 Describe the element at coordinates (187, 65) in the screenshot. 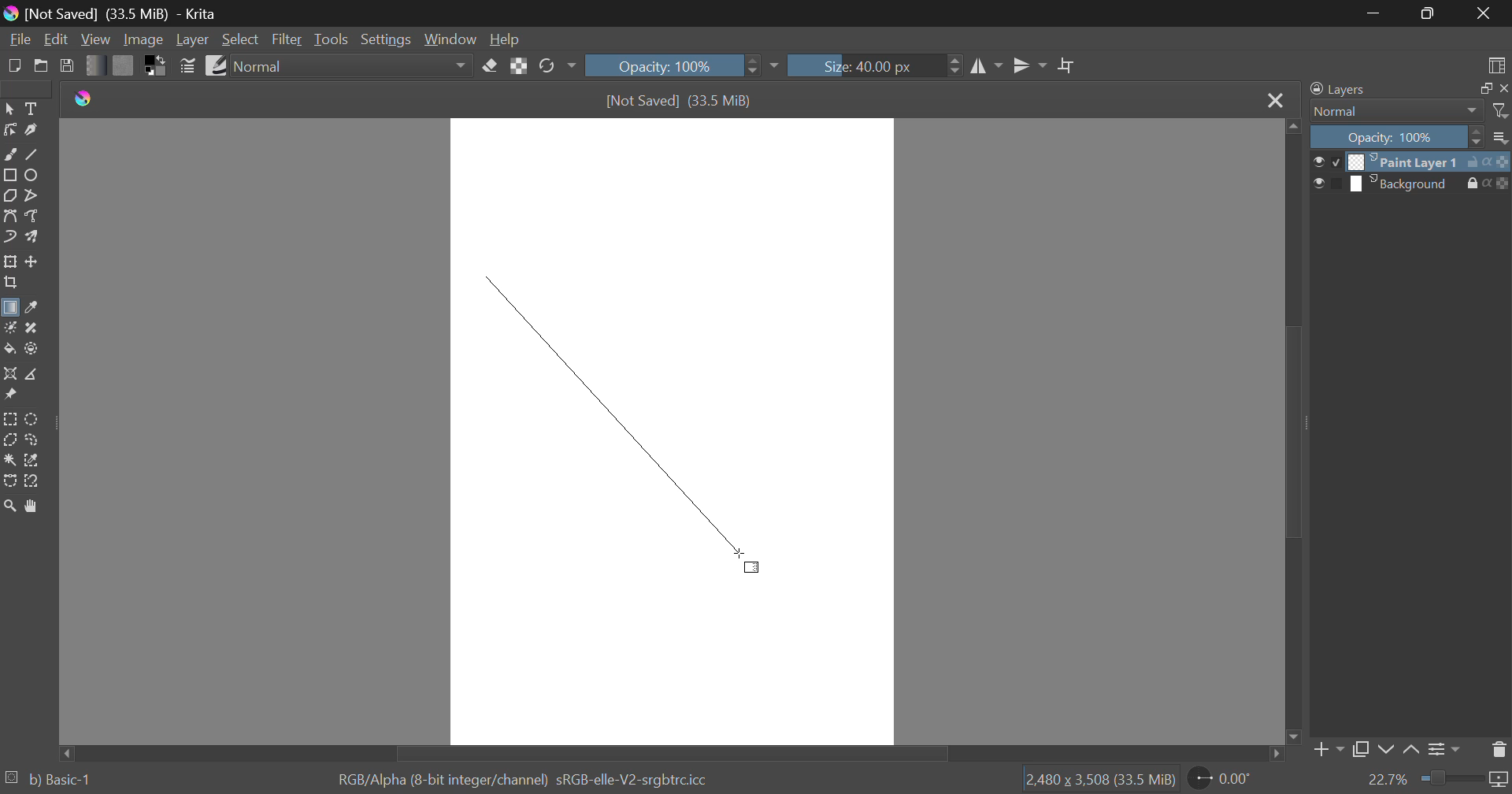

I see `Brush Settings` at that location.